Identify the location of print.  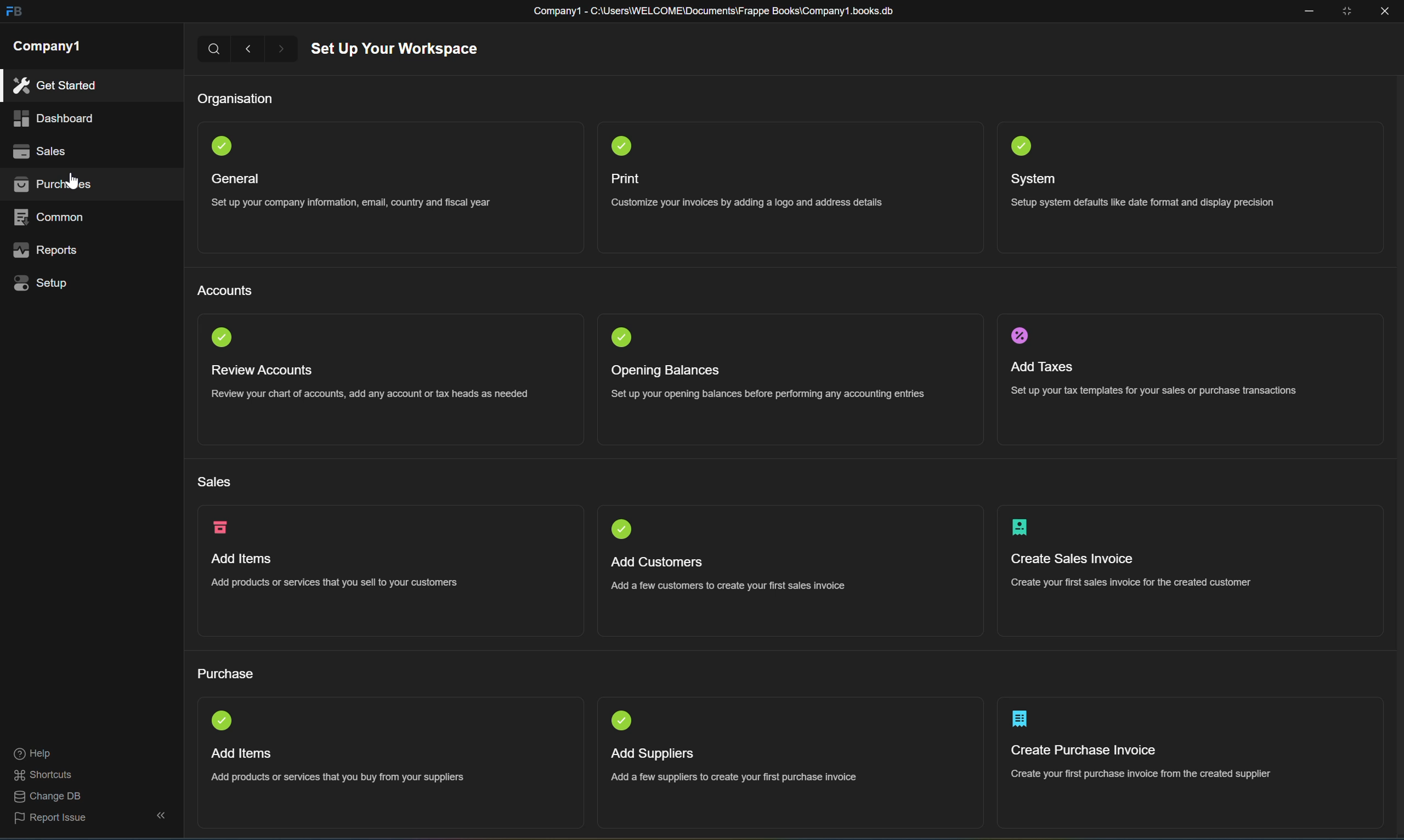
(626, 179).